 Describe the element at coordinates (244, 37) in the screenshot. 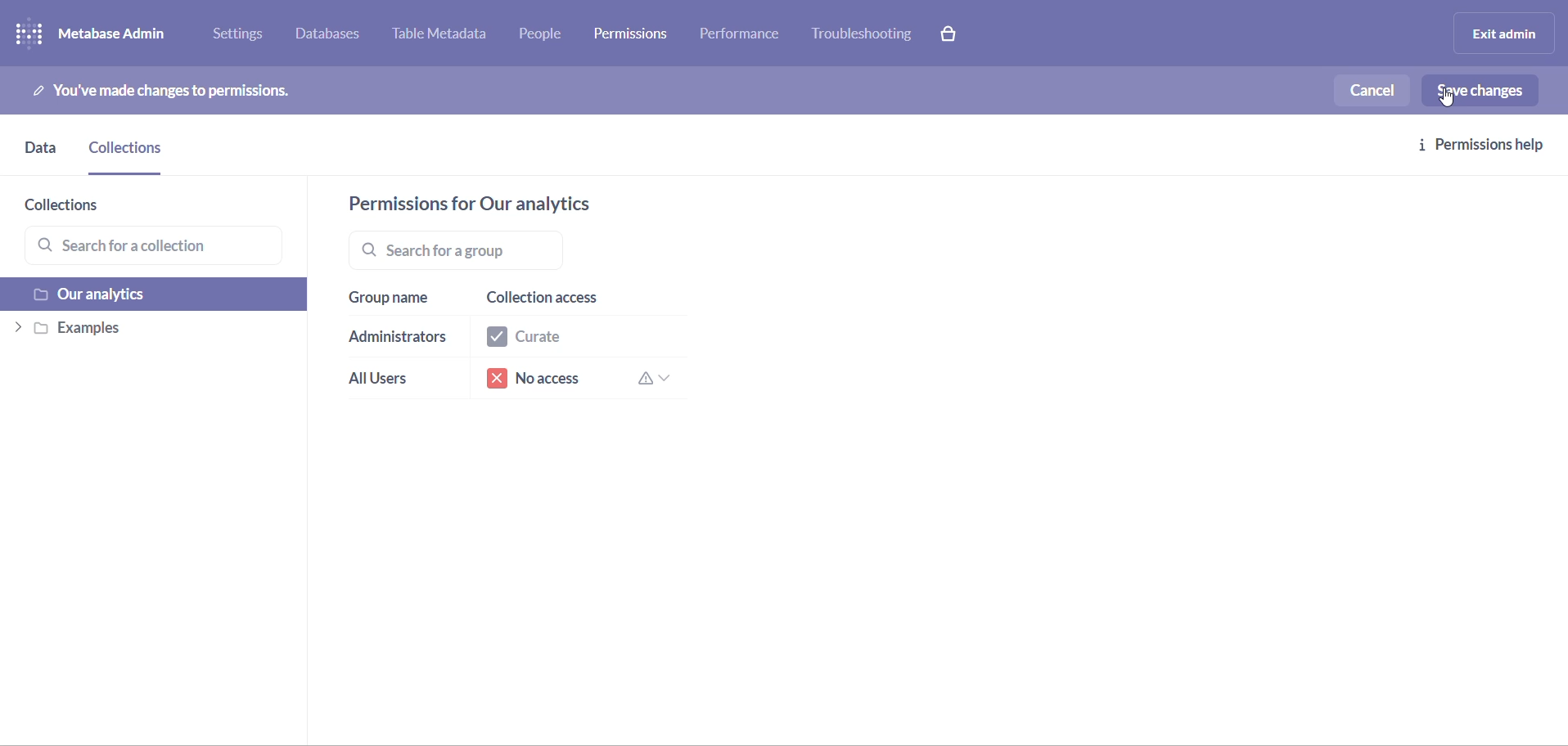

I see `settings` at that location.